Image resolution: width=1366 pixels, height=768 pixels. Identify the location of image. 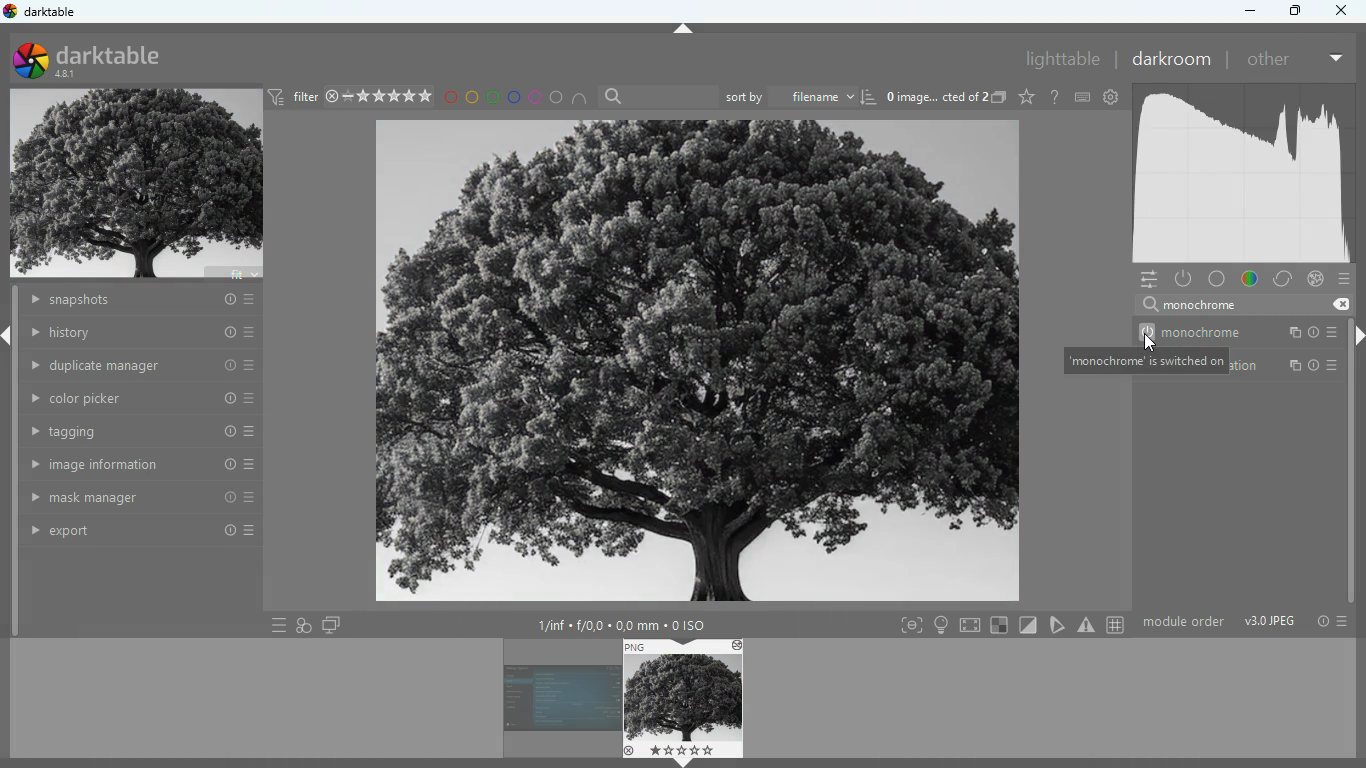
(682, 698).